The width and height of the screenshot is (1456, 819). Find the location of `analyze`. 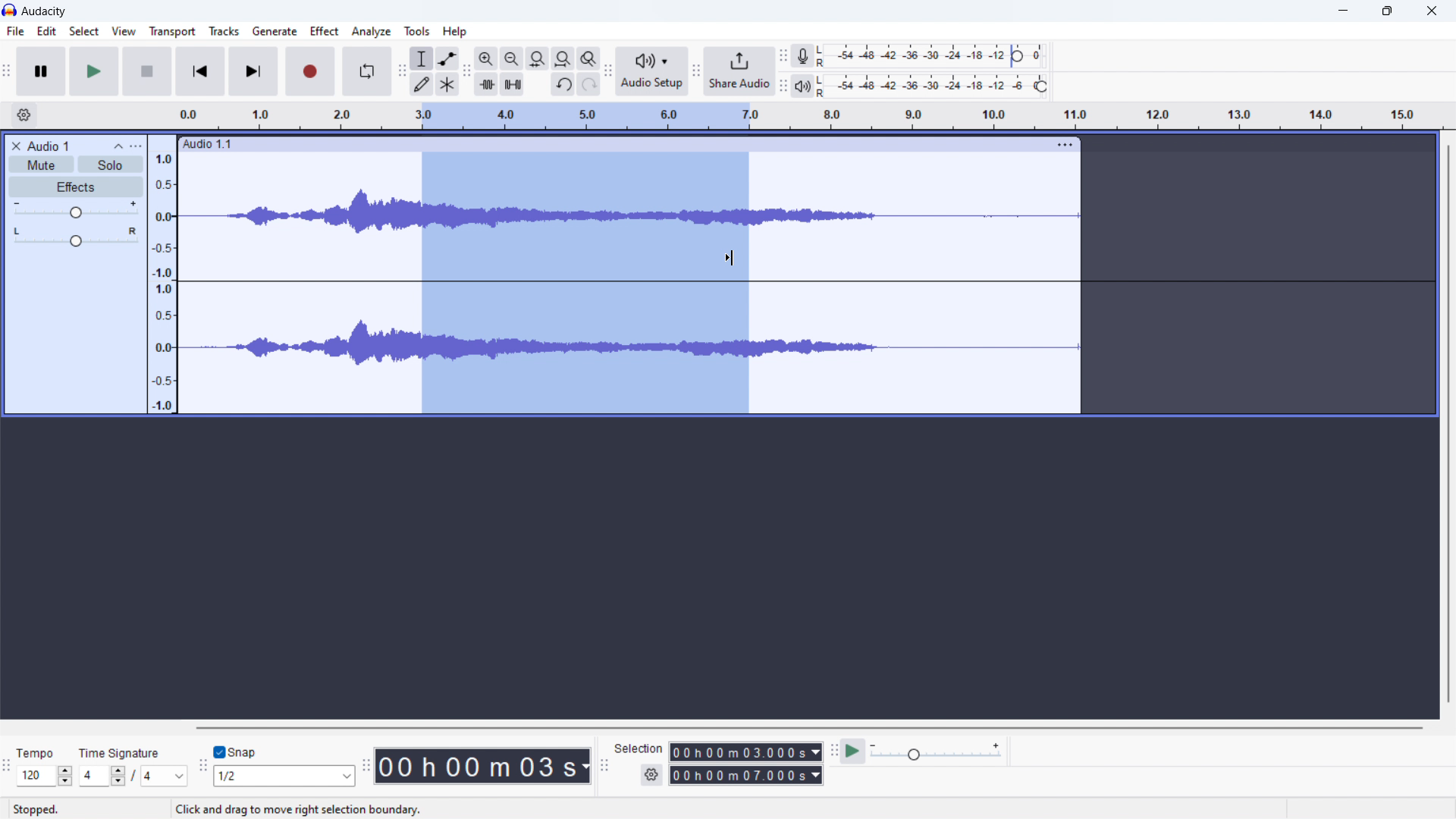

analyze is located at coordinates (372, 31).